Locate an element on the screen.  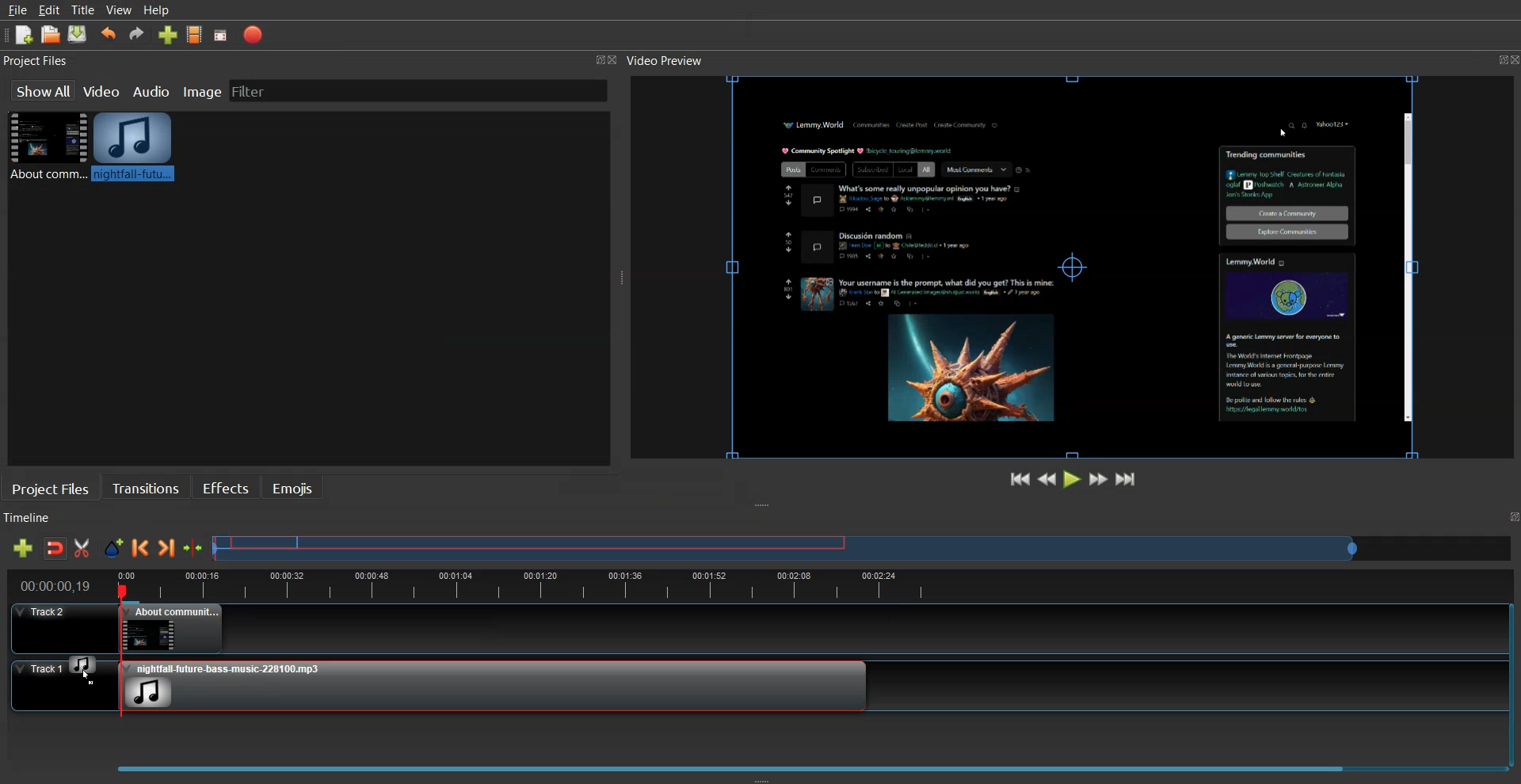
Play is located at coordinates (1073, 478).